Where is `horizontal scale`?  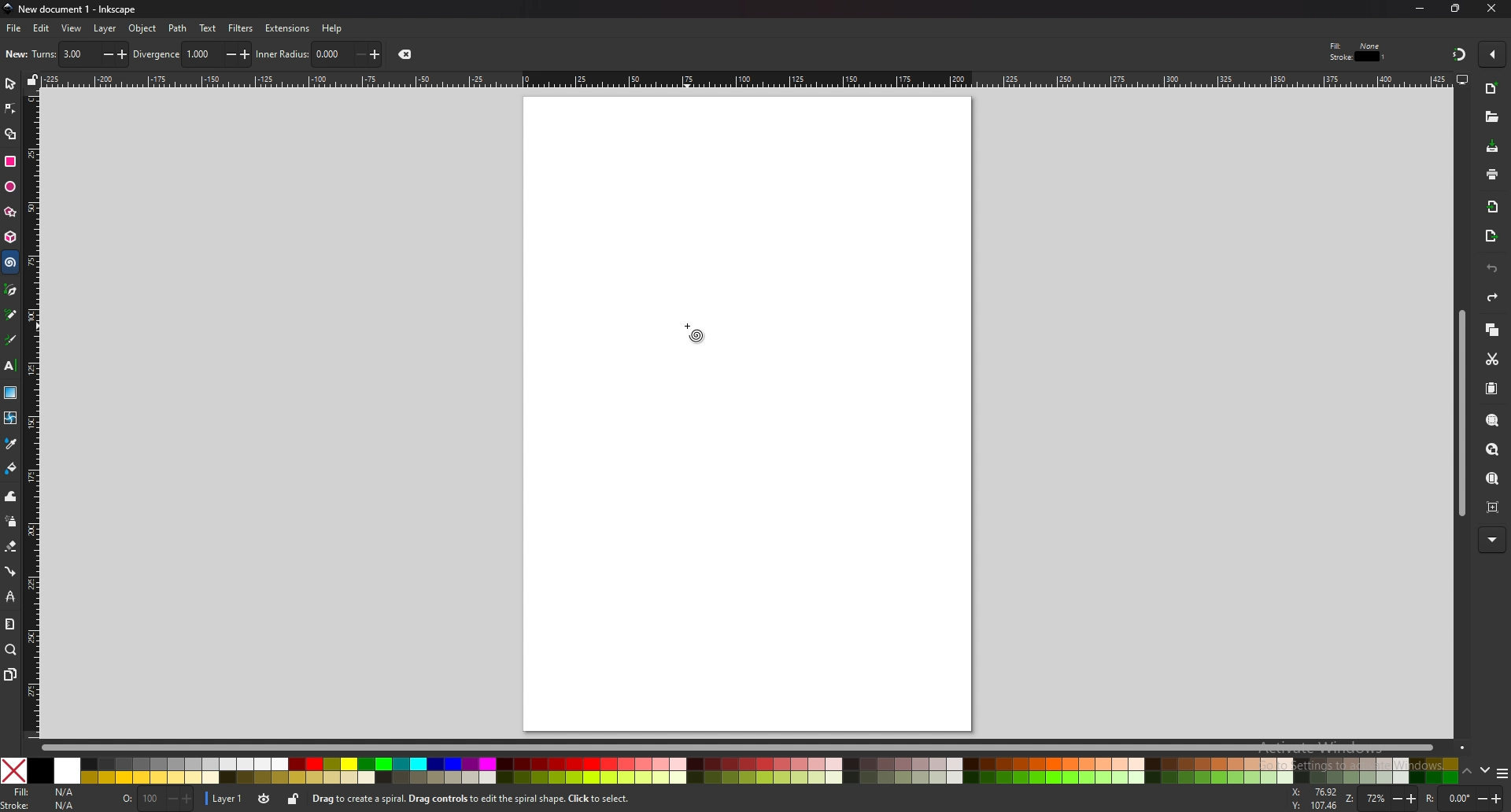
horizontal scale is located at coordinates (744, 79).